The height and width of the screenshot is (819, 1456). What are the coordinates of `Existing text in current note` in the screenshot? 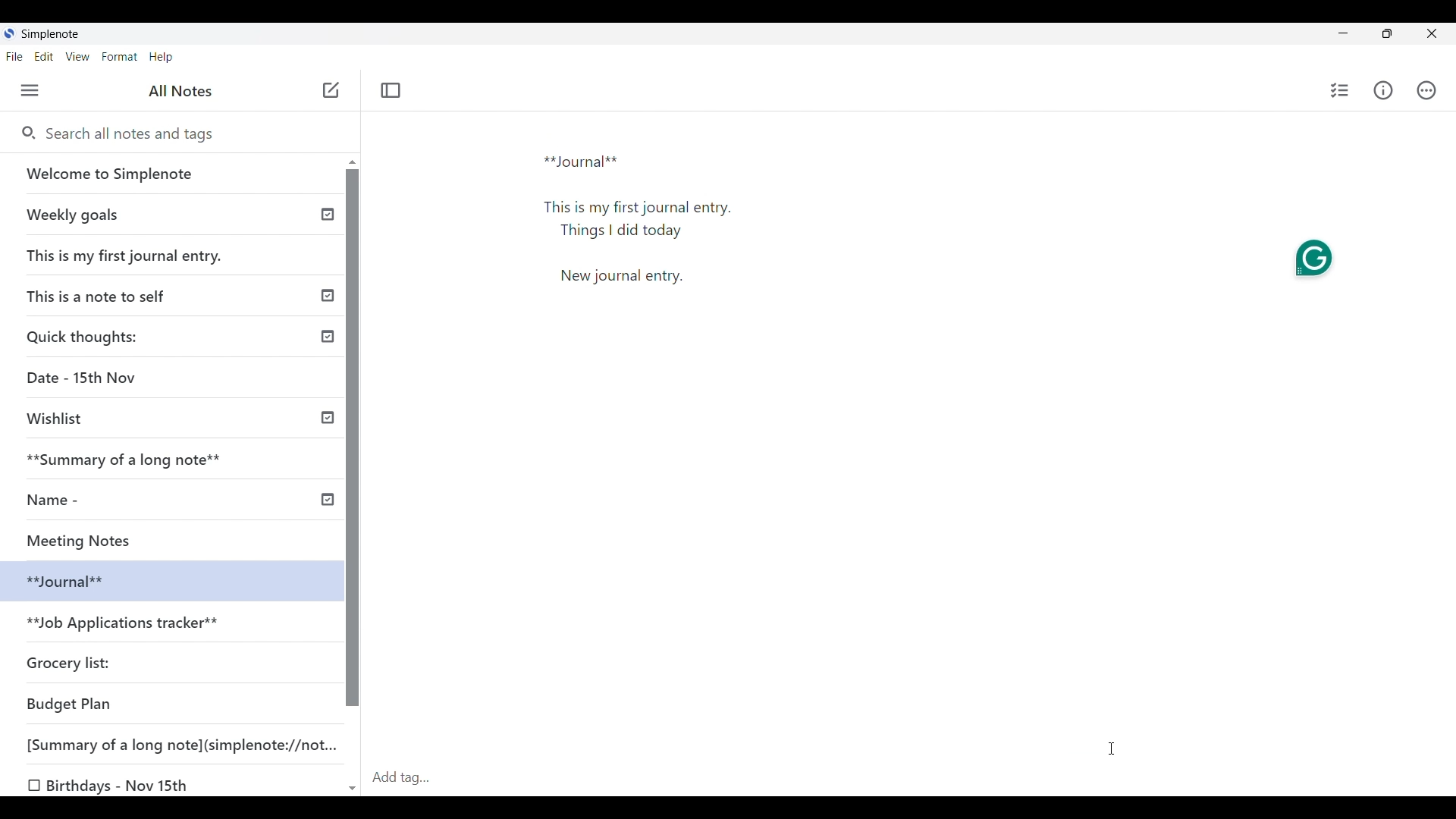 It's located at (647, 225).